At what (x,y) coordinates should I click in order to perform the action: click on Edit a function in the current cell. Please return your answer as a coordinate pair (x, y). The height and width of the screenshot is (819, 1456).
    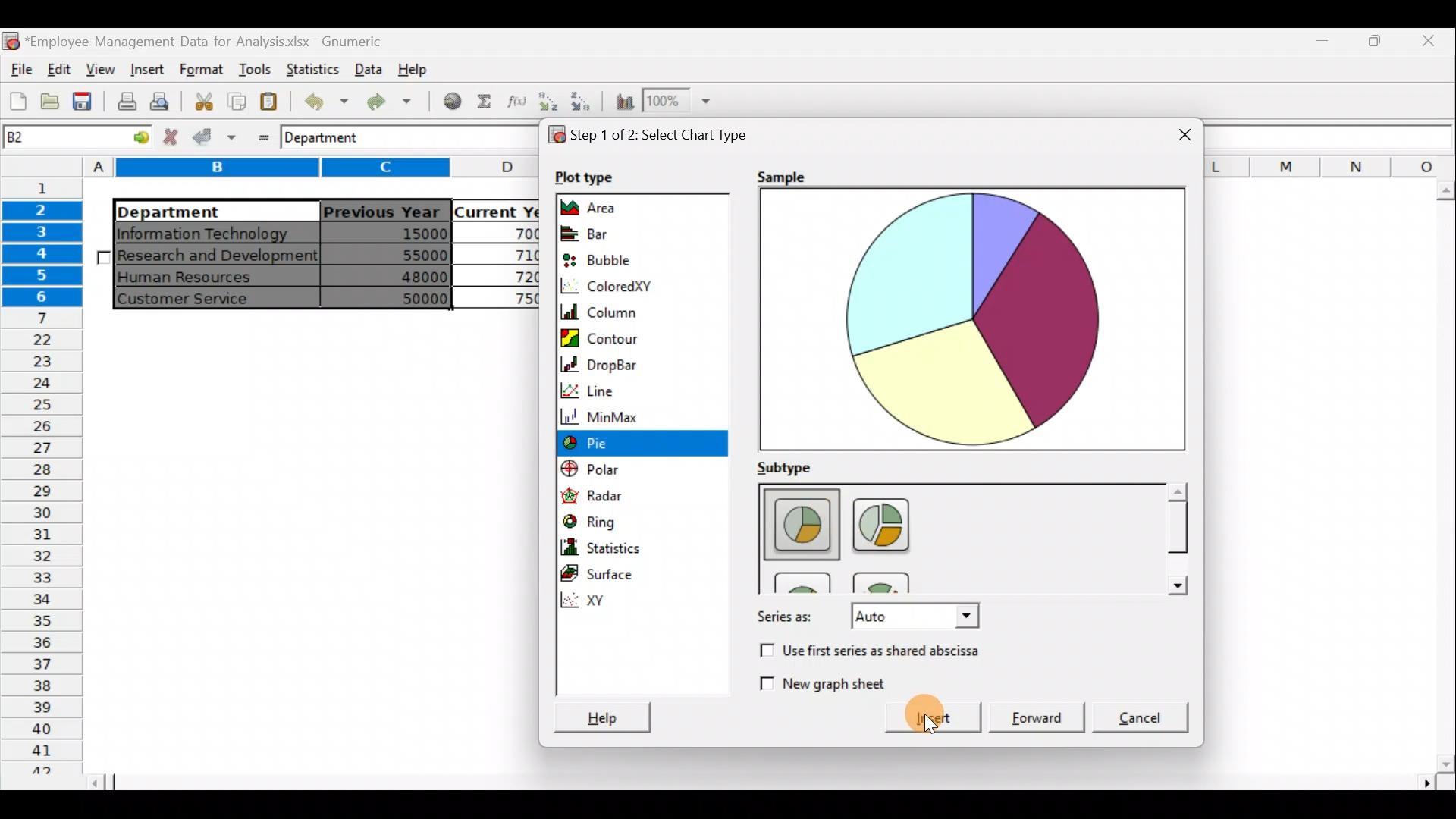
    Looking at the image, I should click on (516, 101).